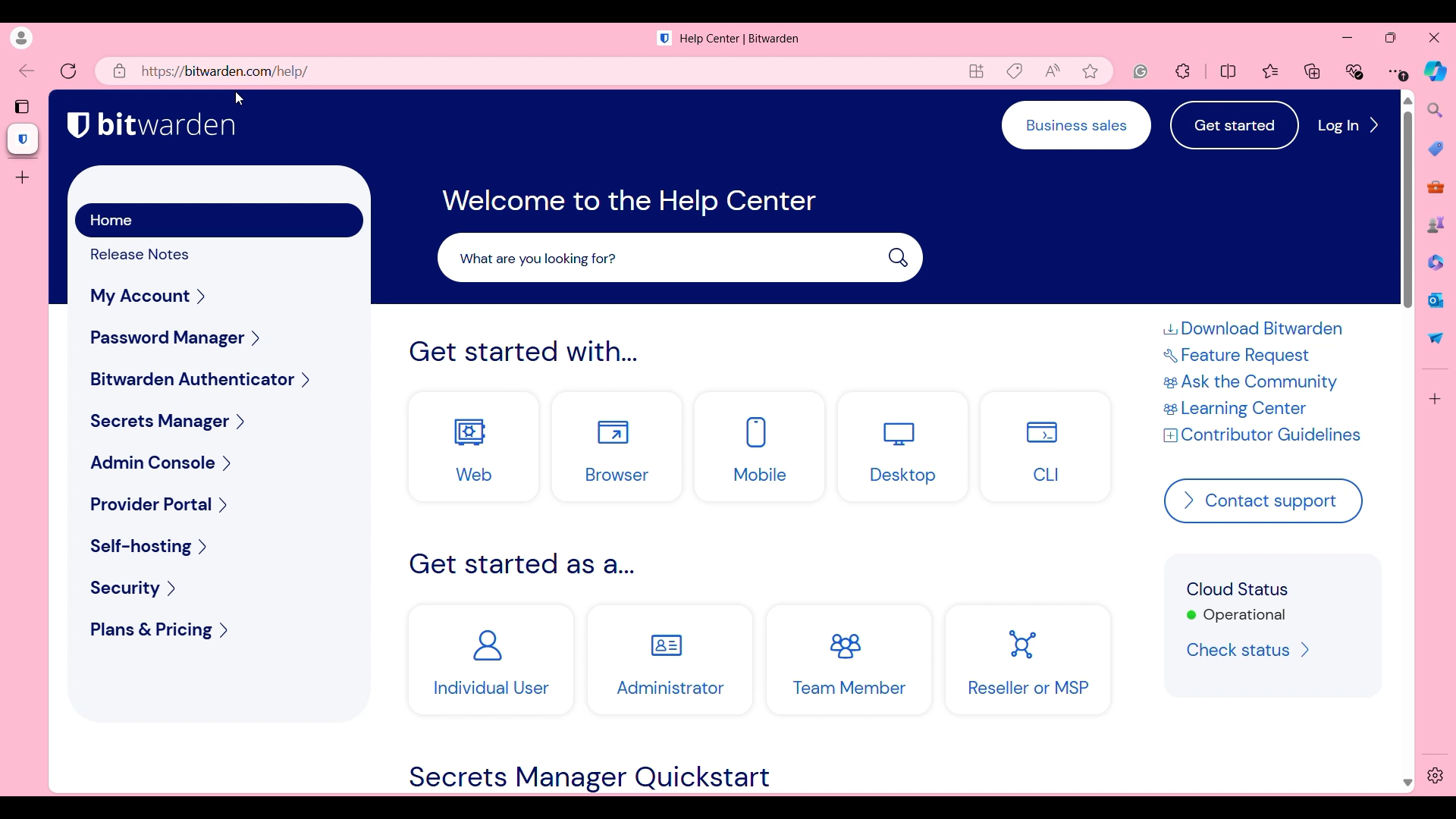  I want to click on Software logo, so click(78, 125).